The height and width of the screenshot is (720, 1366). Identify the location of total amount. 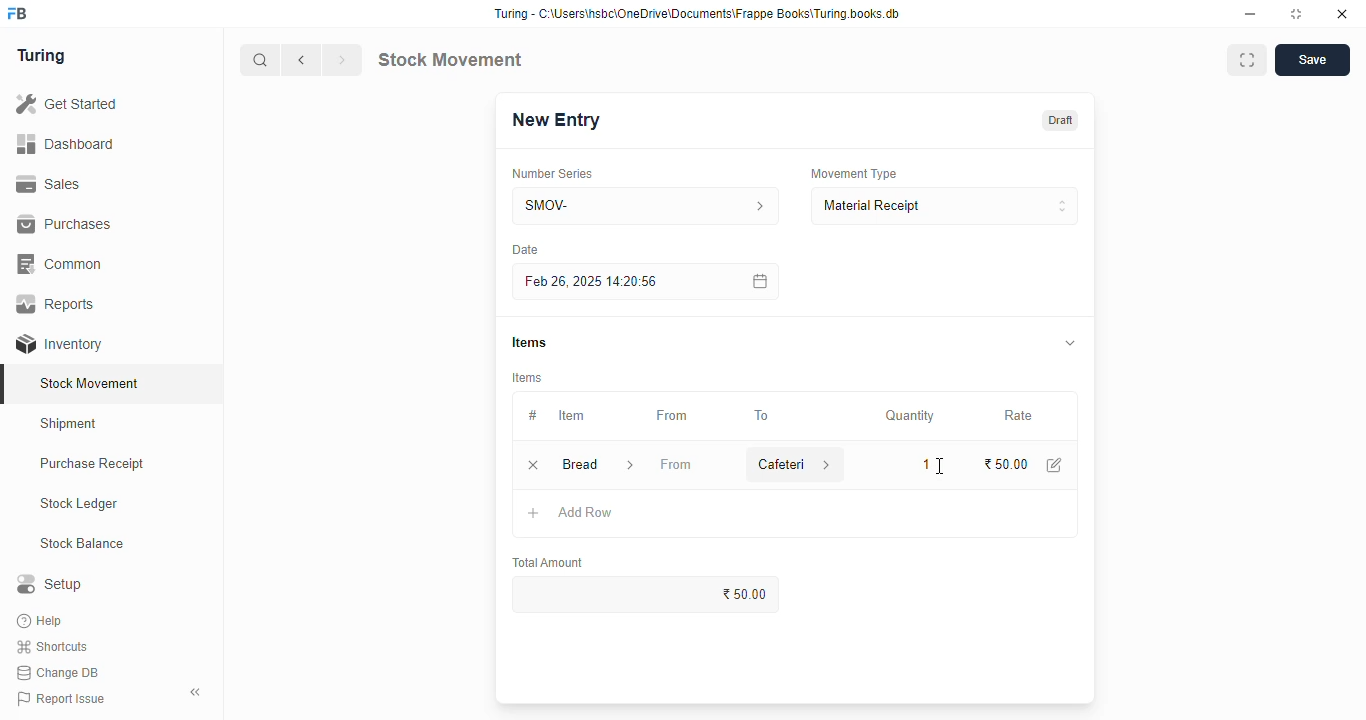
(549, 563).